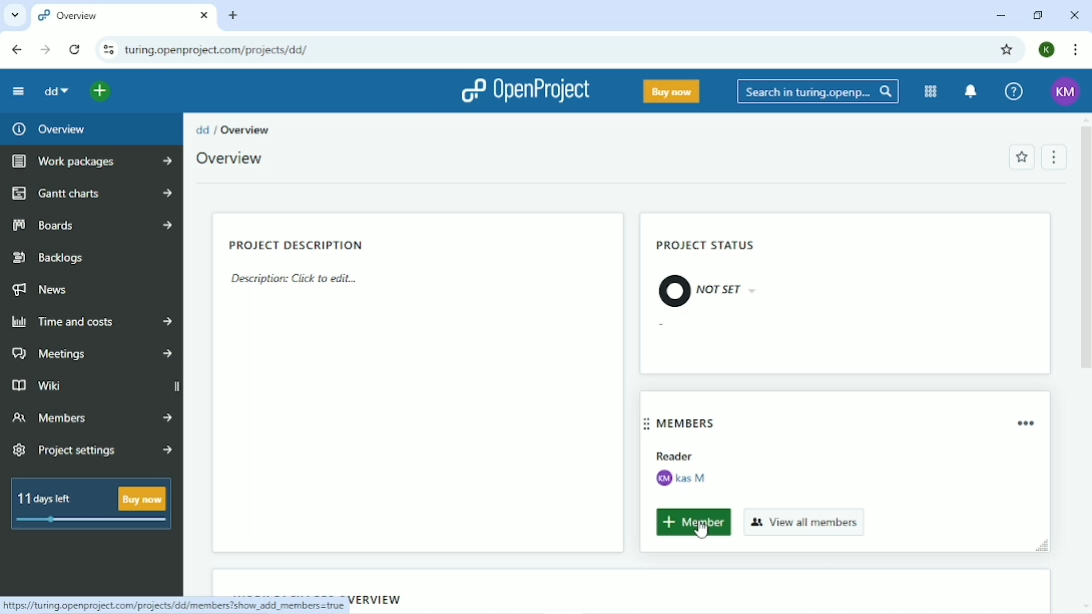  I want to click on View all members, so click(806, 521).